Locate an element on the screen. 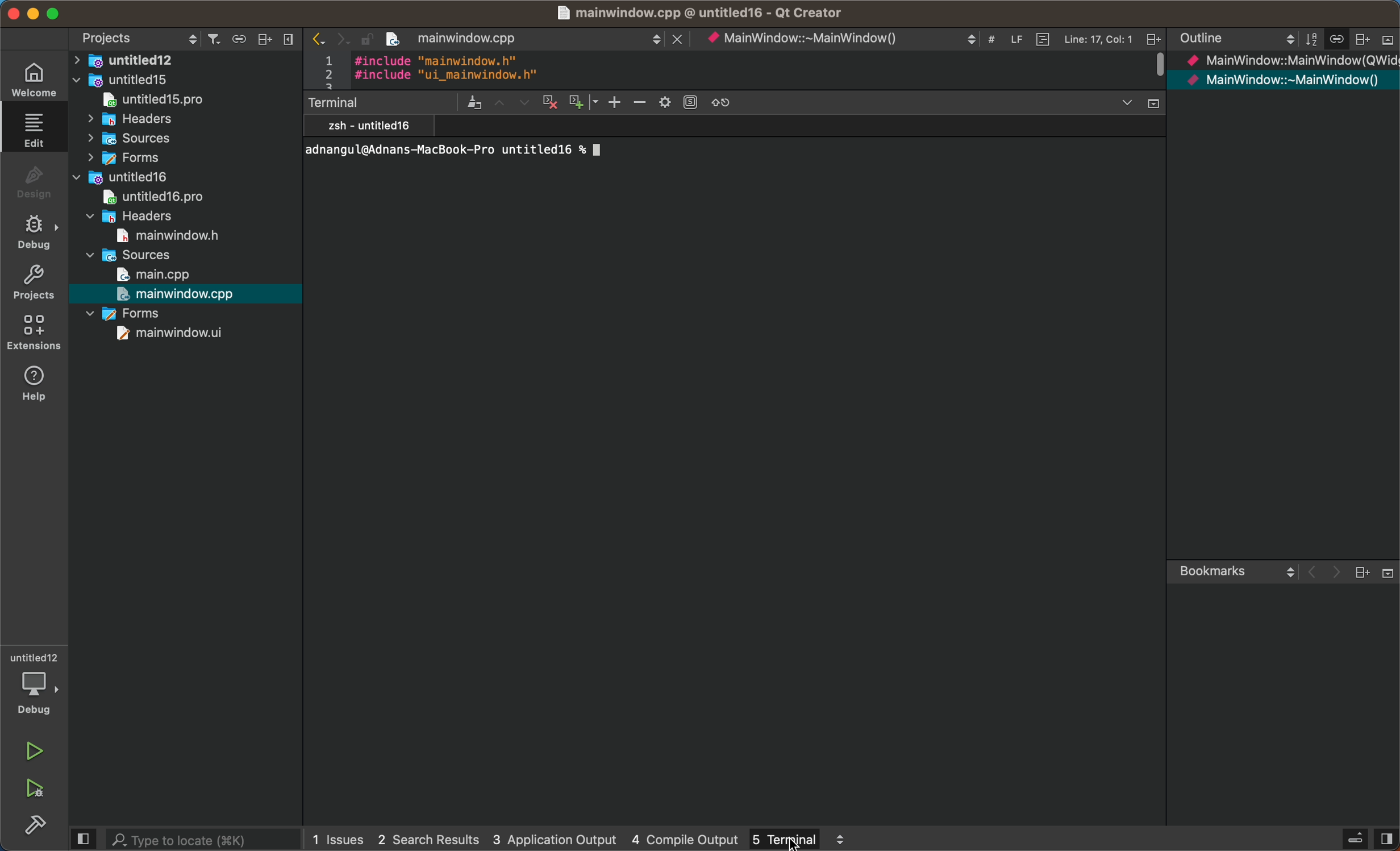  file and folder is located at coordinates (132, 255).